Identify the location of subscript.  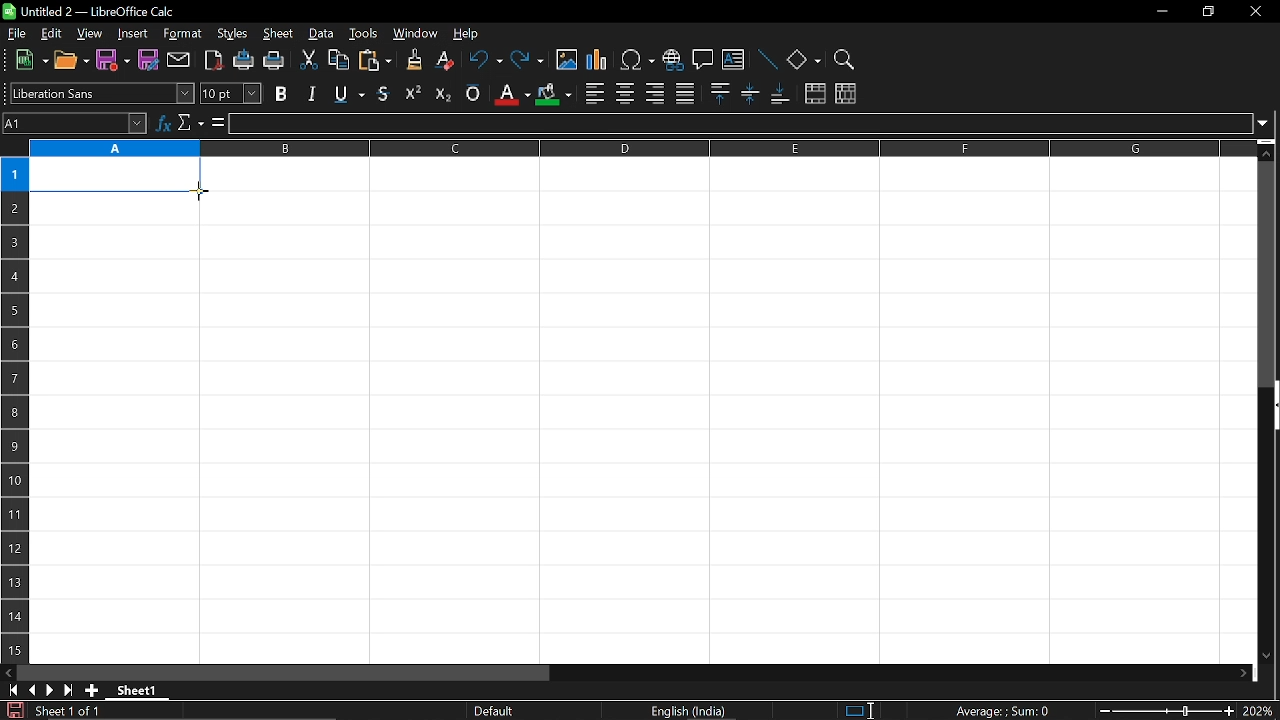
(442, 93).